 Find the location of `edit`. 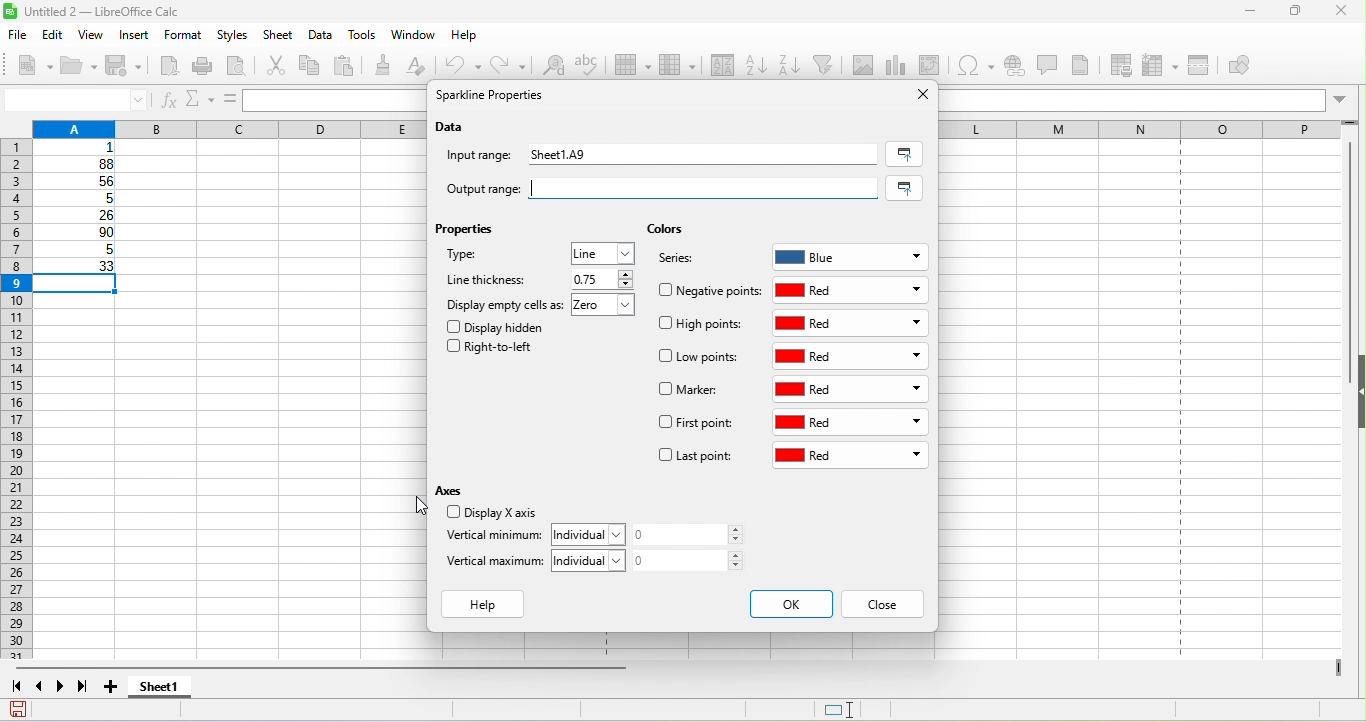

edit is located at coordinates (55, 34).